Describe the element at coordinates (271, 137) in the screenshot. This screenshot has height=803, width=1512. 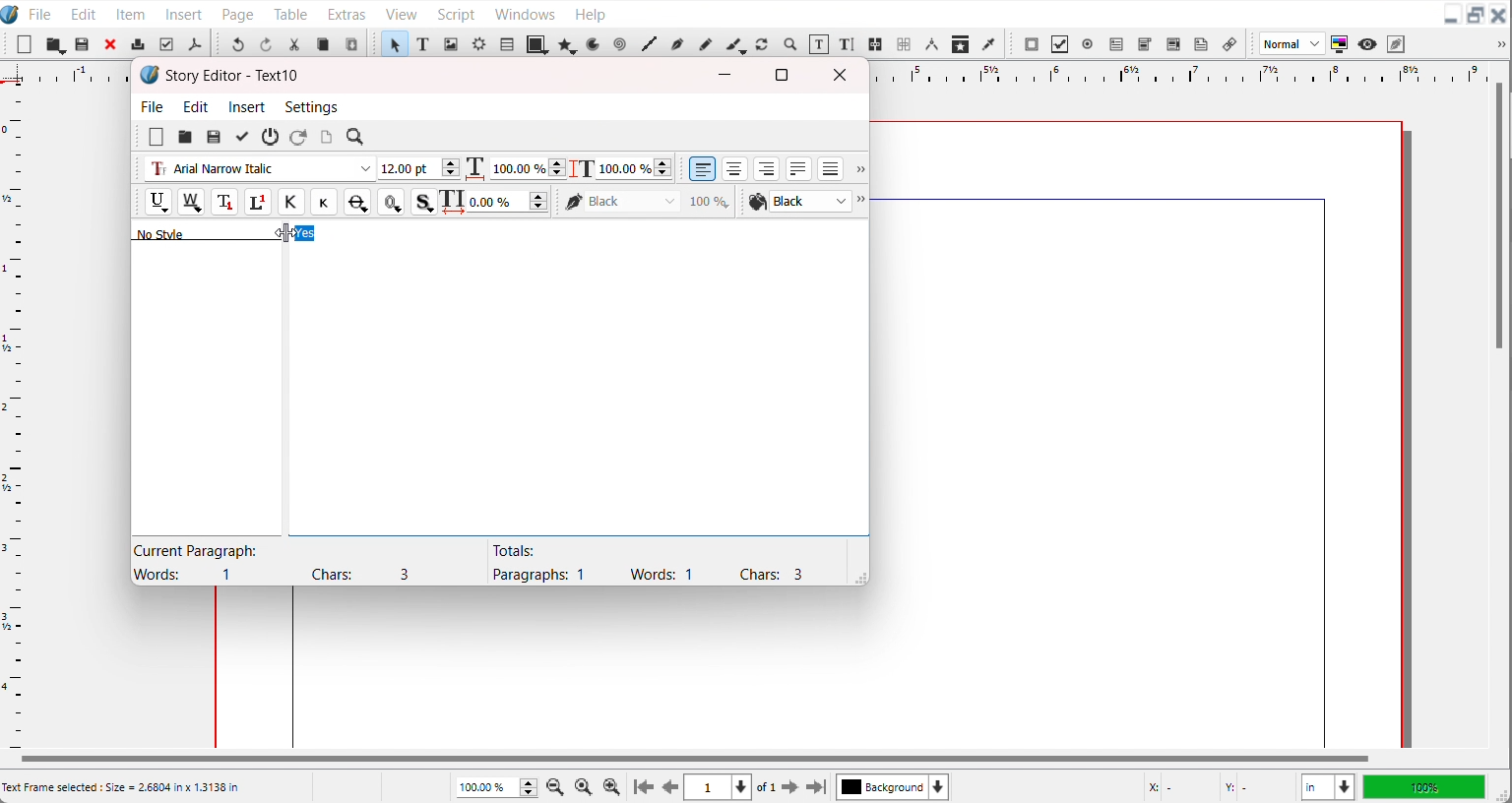
I see `Exit without updating` at that location.